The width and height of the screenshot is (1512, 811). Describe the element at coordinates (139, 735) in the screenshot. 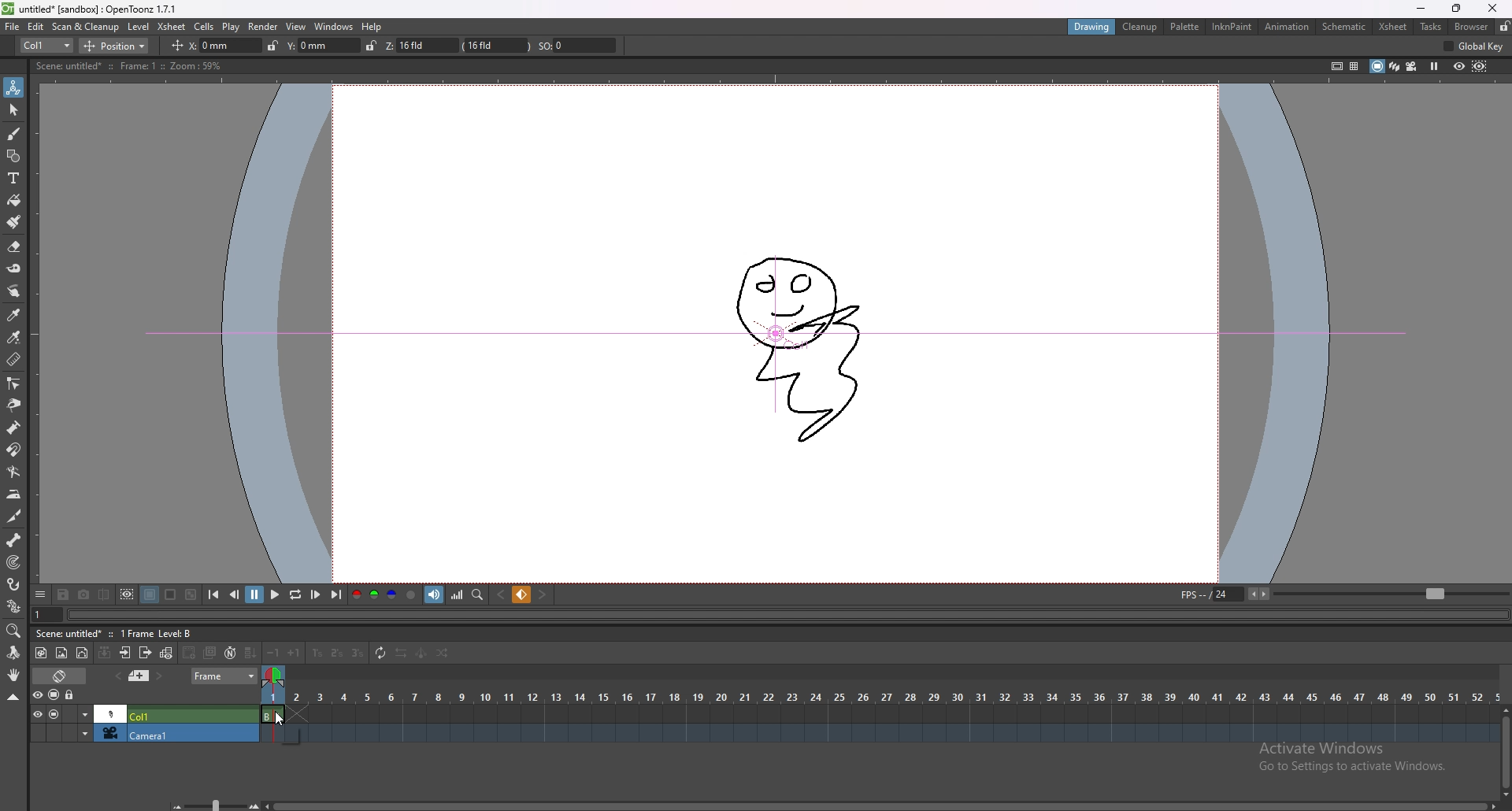

I see `camera 1` at that location.